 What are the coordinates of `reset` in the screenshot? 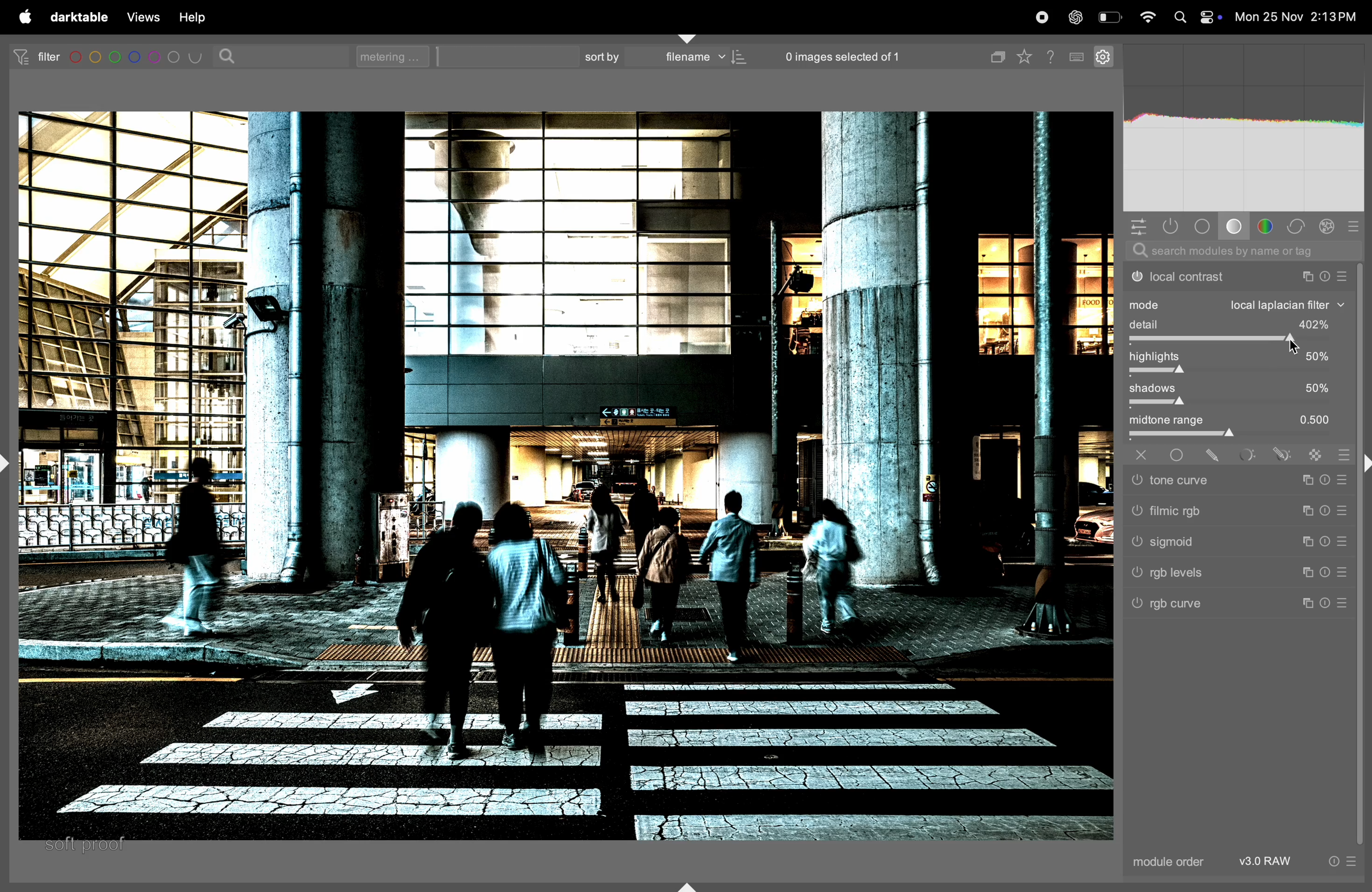 It's located at (1325, 478).